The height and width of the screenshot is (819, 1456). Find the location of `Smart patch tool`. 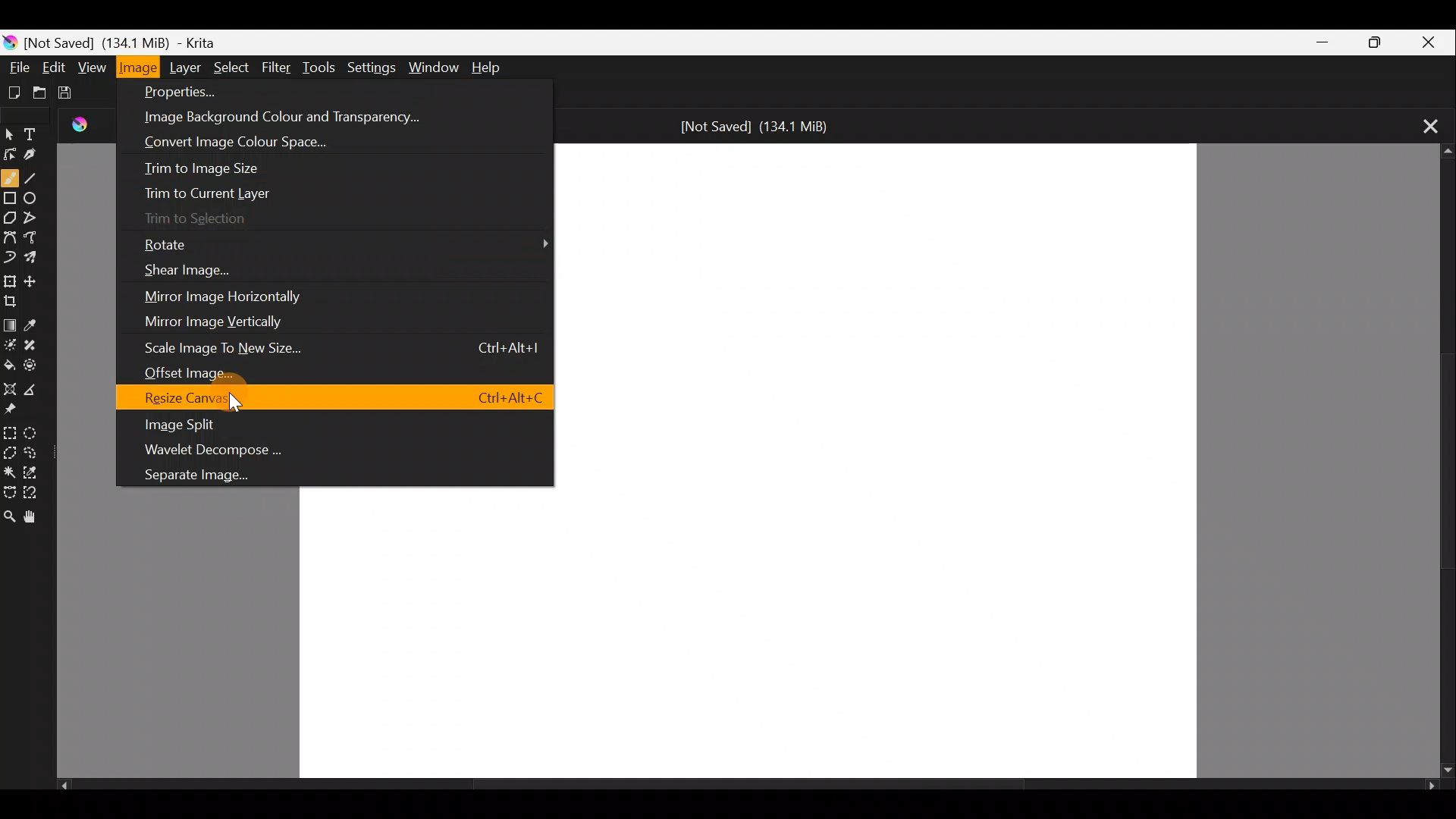

Smart patch tool is located at coordinates (36, 343).